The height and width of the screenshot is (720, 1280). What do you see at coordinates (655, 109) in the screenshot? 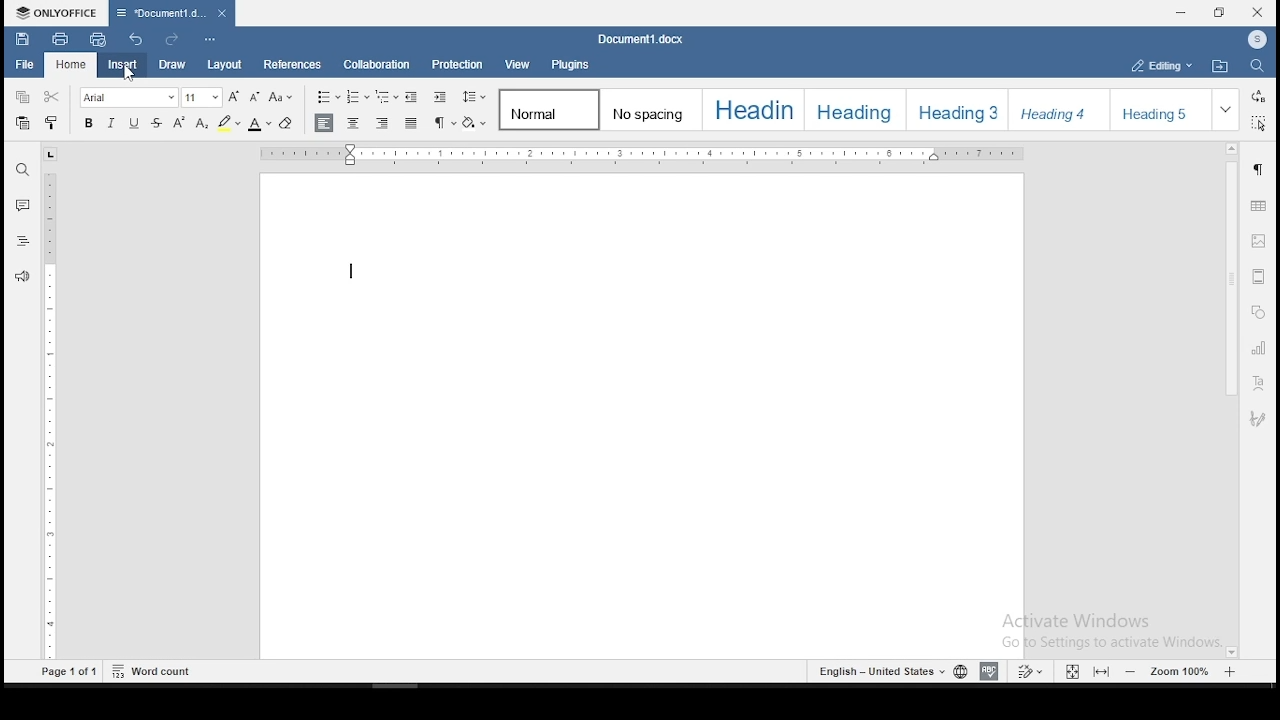
I see `heading option` at bounding box center [655, 109].